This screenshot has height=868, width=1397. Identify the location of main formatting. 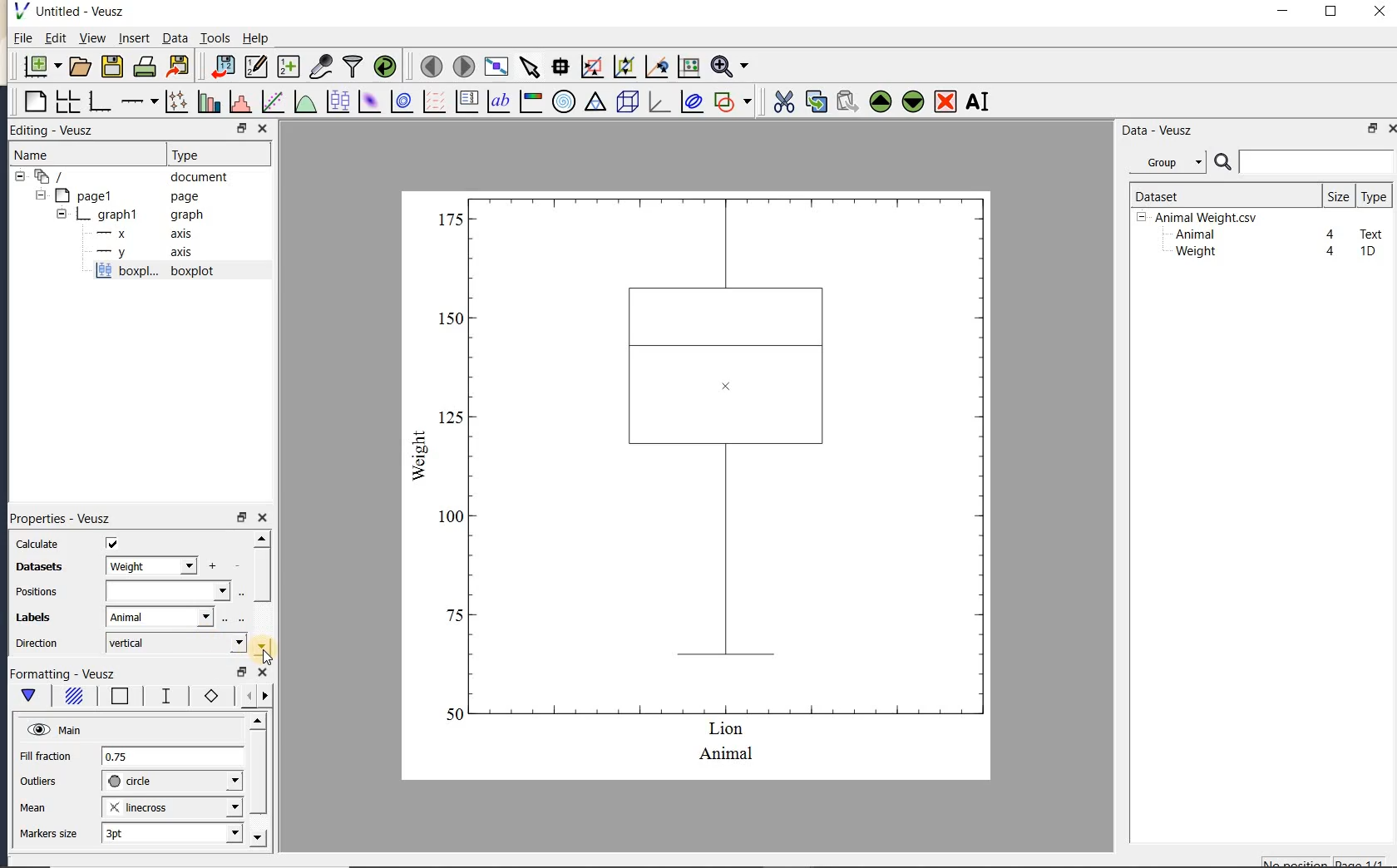
(28, 698).